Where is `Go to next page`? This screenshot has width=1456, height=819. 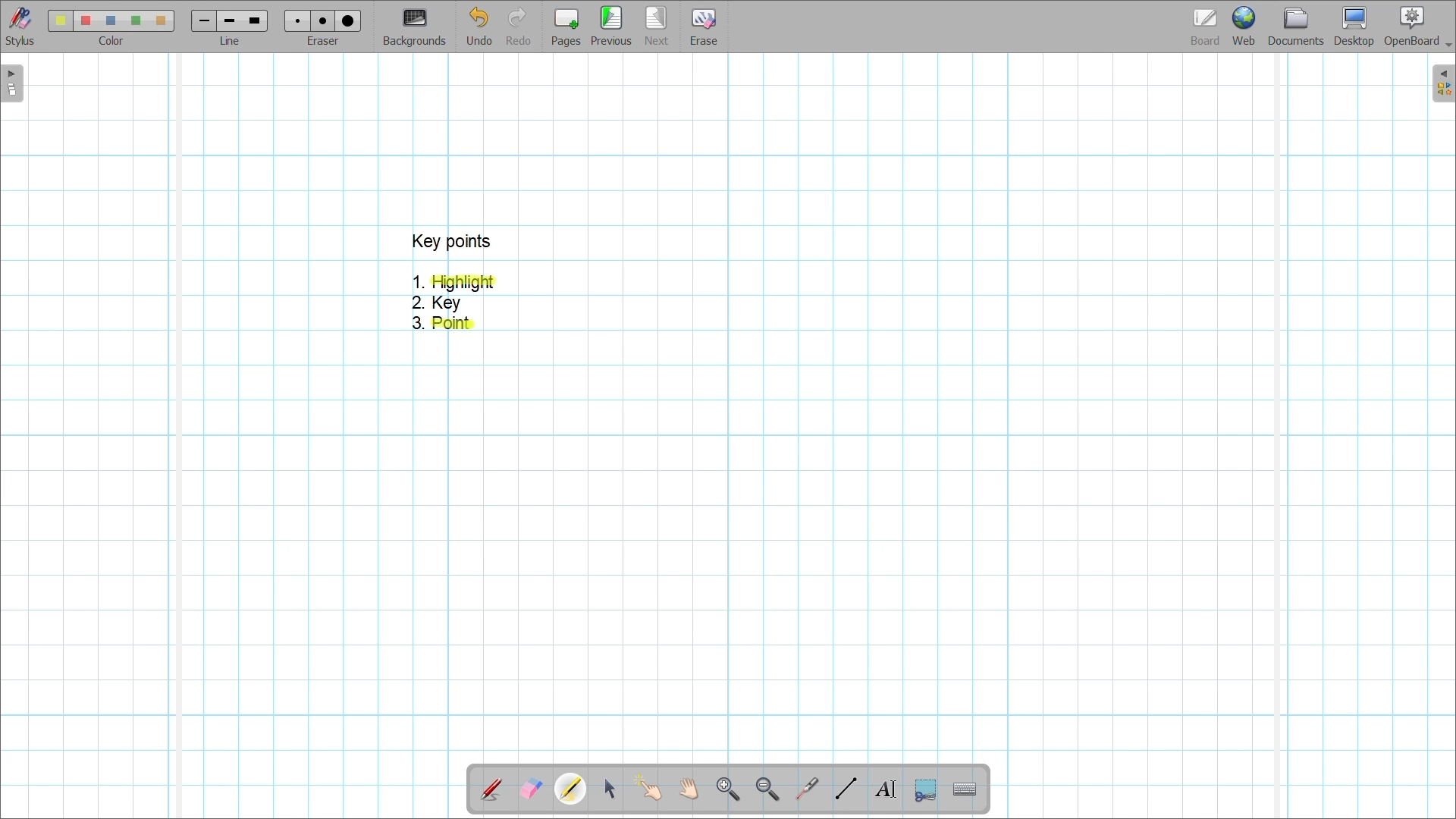
Go to next page is located at coordinates (656, 26).